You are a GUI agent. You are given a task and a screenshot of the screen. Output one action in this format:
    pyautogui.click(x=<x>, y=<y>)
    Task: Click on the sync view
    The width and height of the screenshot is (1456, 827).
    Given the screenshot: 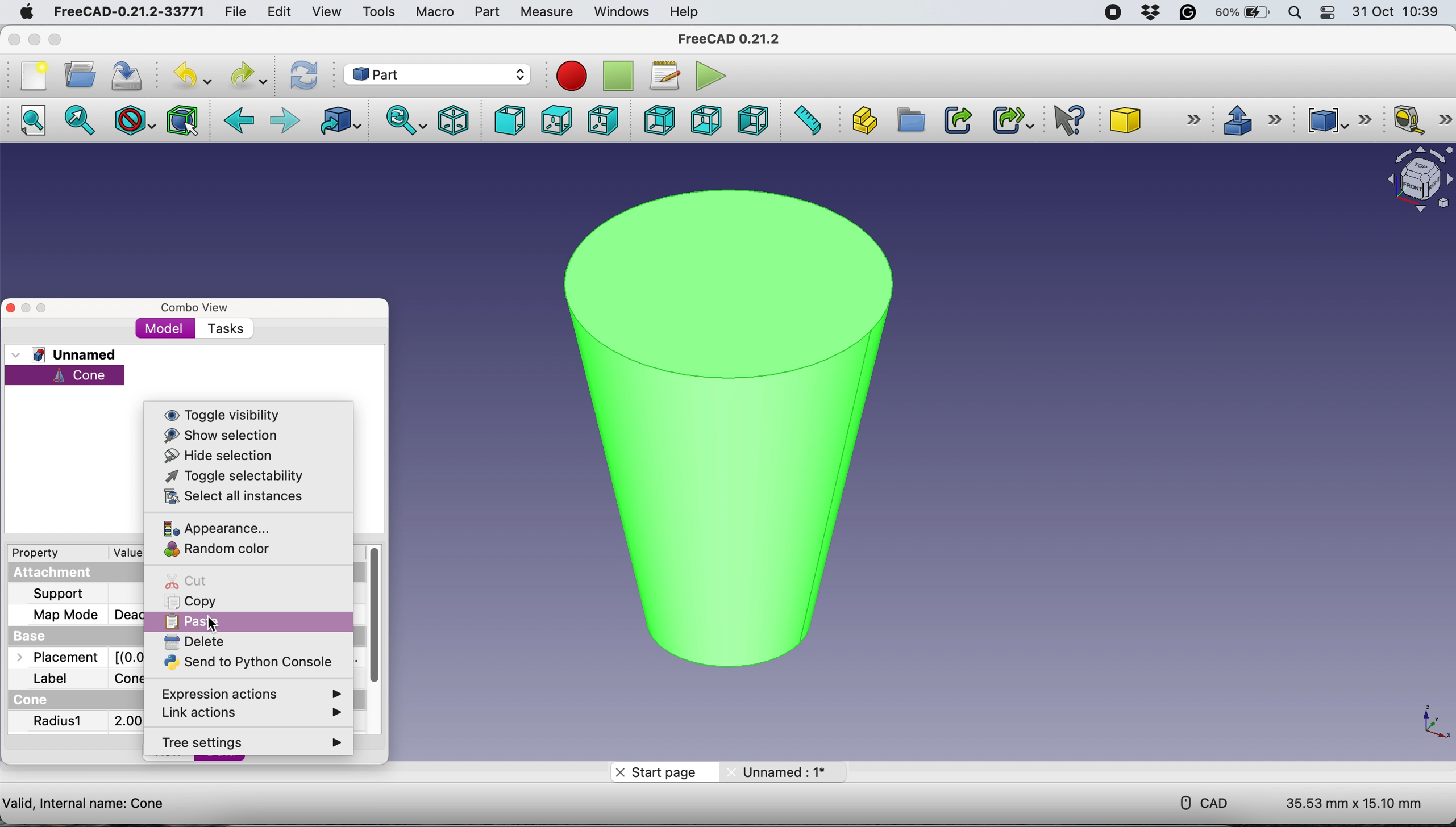 What is the action you would take?
    pyautogui.click(x=403, y=120)
    